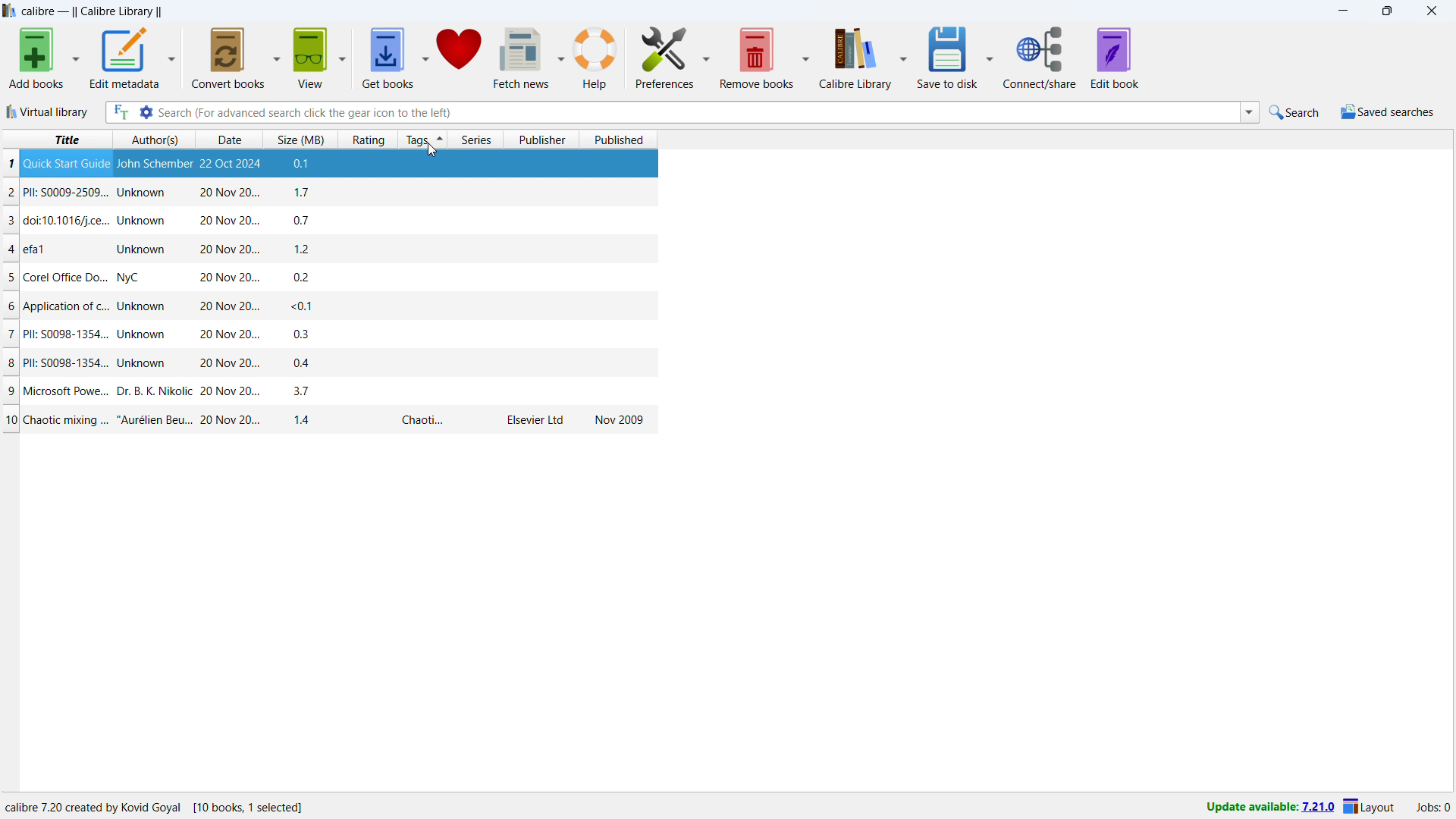 Image resolution: width=1456 pixels, height=819 pixels. Describe the element at coordinates (1115, 59) in the screenshot. I see `edit book` at that location.